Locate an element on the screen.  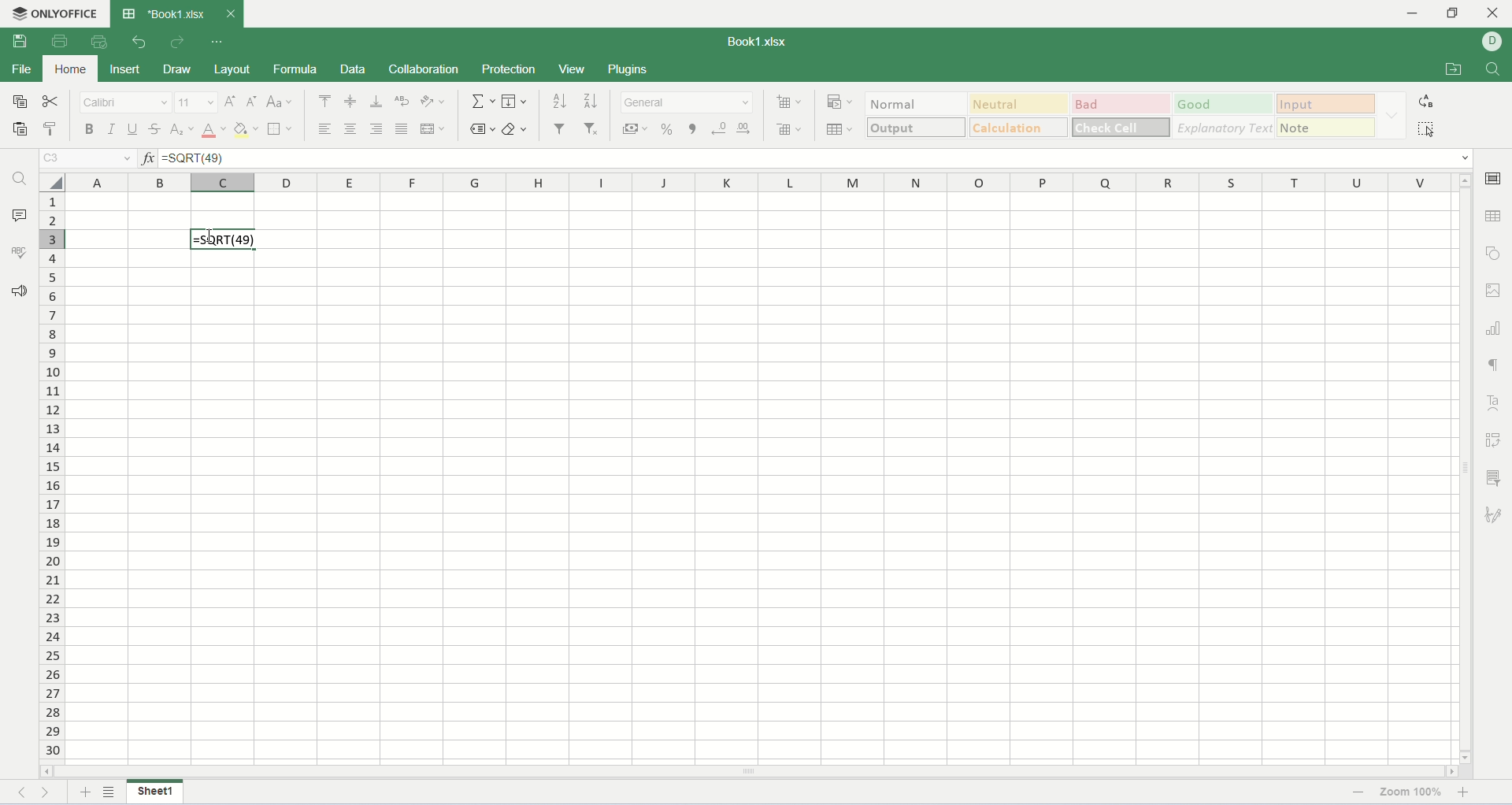
increase decimal is located at coordinates (742, 127).